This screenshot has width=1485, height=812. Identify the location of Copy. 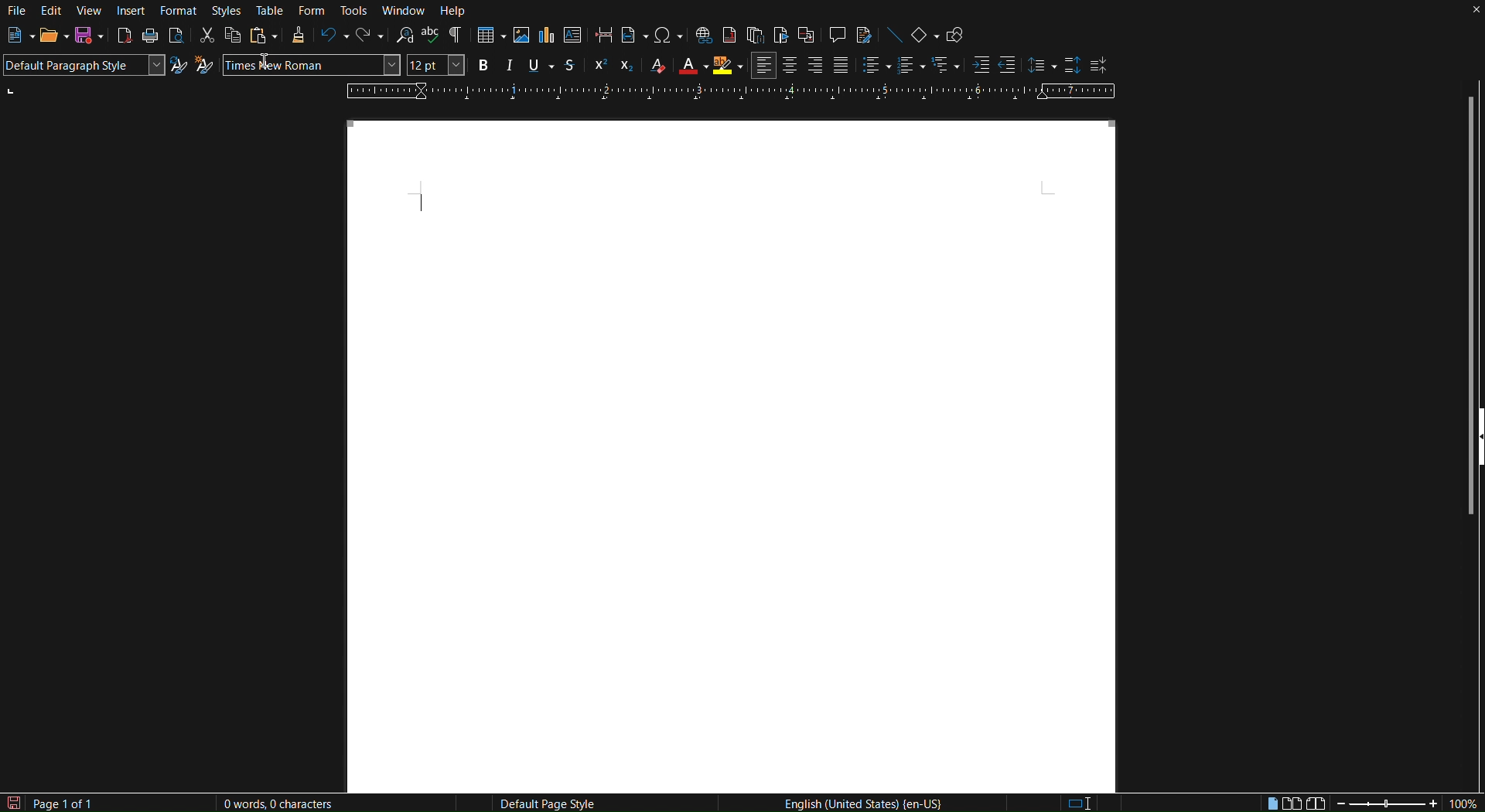
(232, 37).